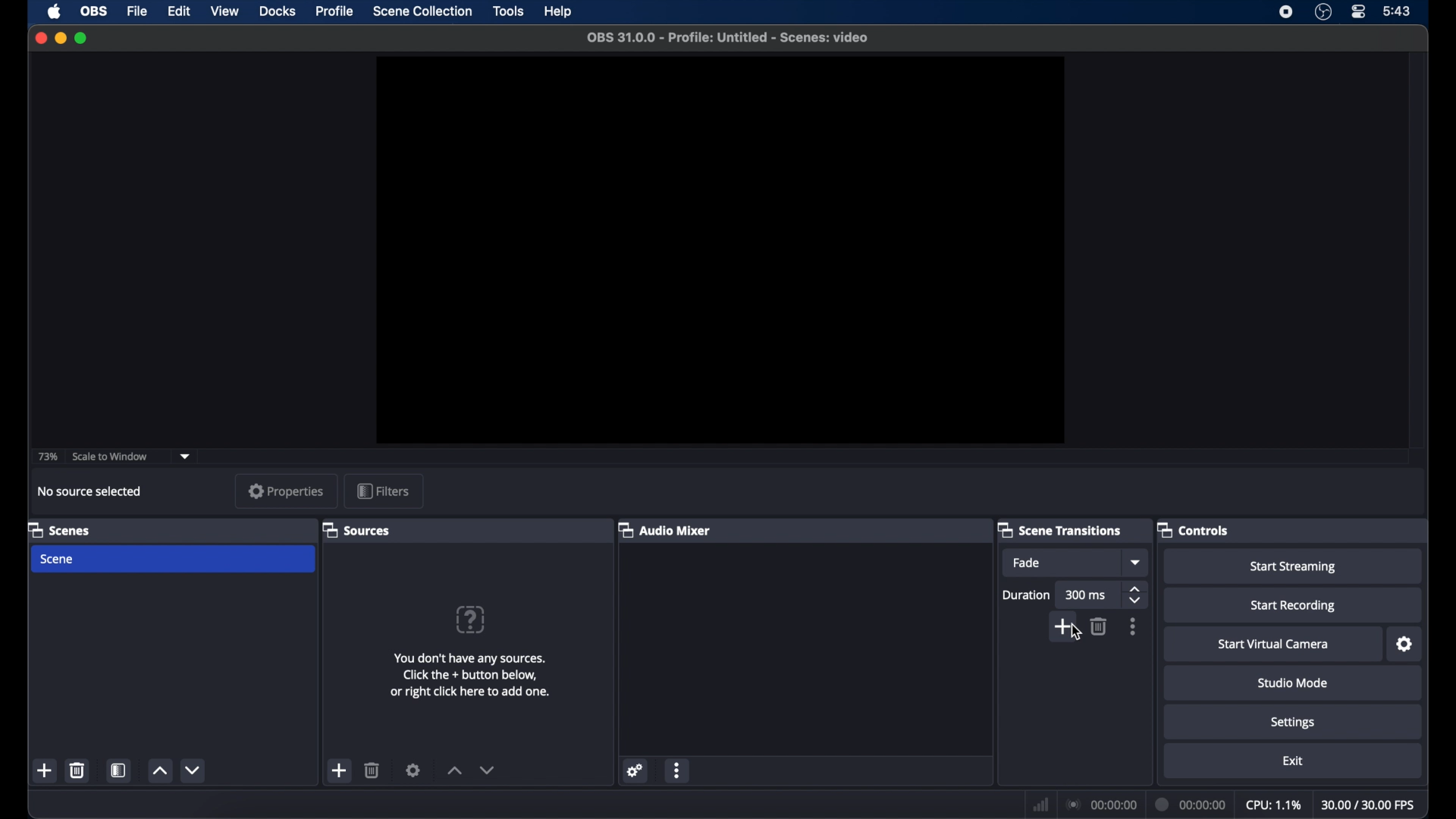 The width and height of the screenshot is (1456, 819). I want to click on add, so click(340, 770).